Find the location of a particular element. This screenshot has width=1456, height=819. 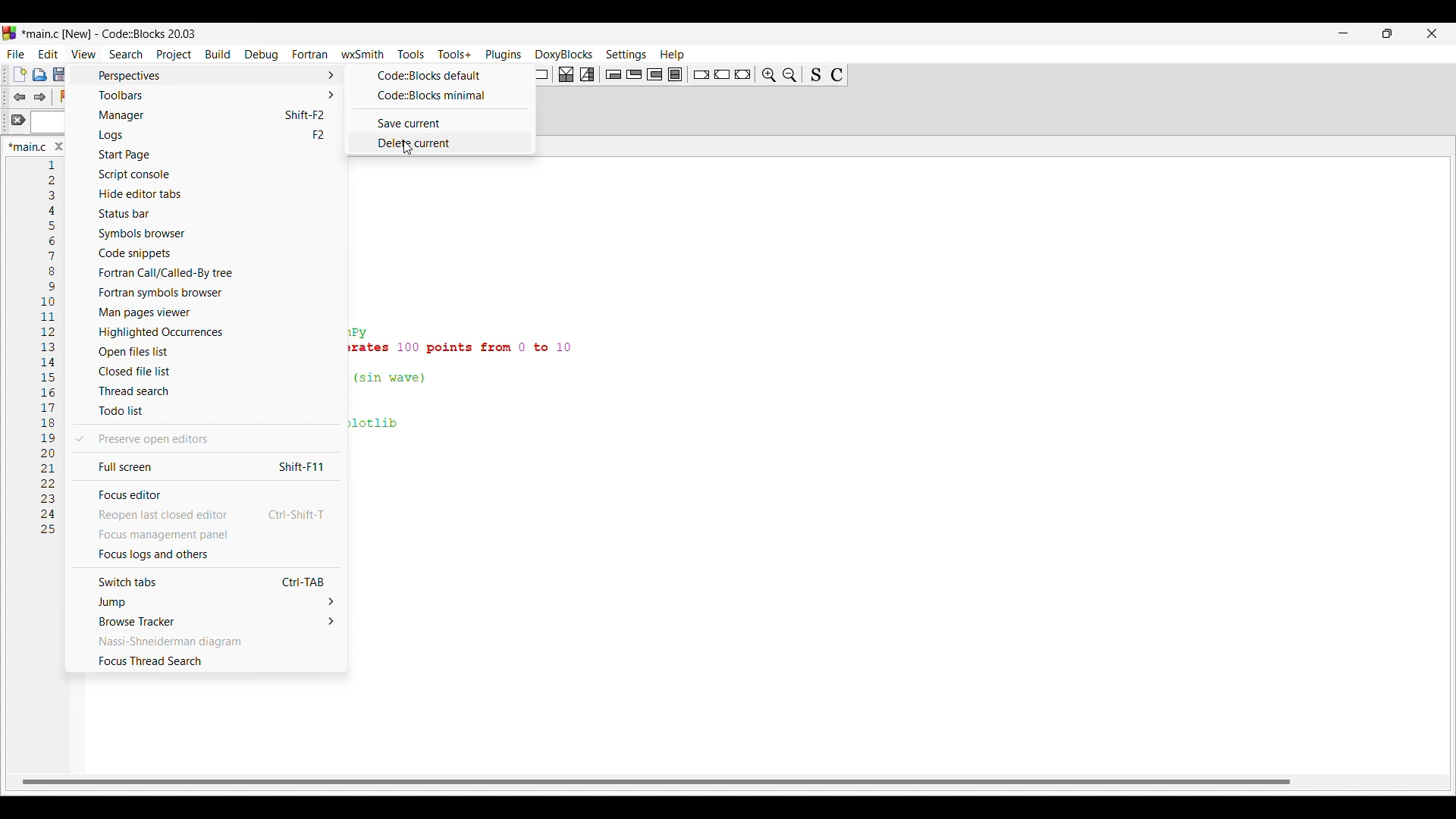

wxSmith menu is located at coordinates (363, 54).